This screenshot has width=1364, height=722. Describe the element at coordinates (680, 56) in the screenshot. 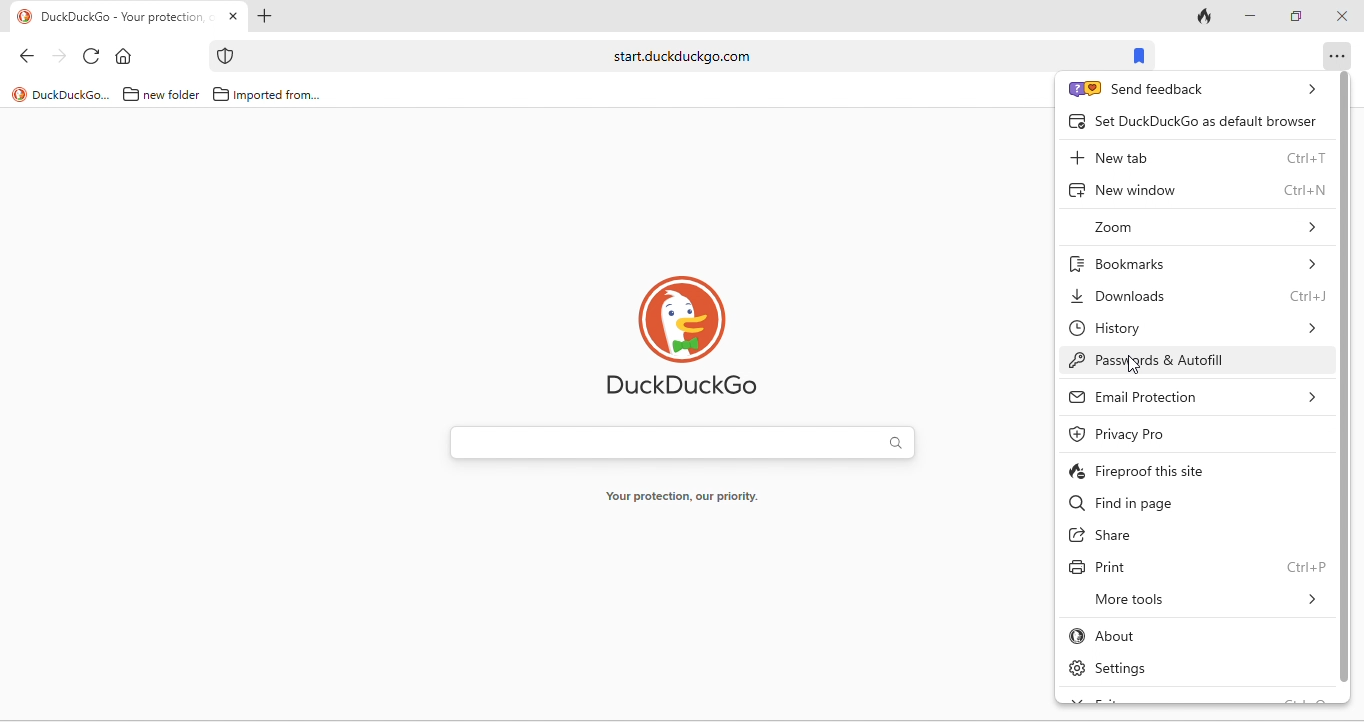

I see `start.duckduckgo.com` at that location.